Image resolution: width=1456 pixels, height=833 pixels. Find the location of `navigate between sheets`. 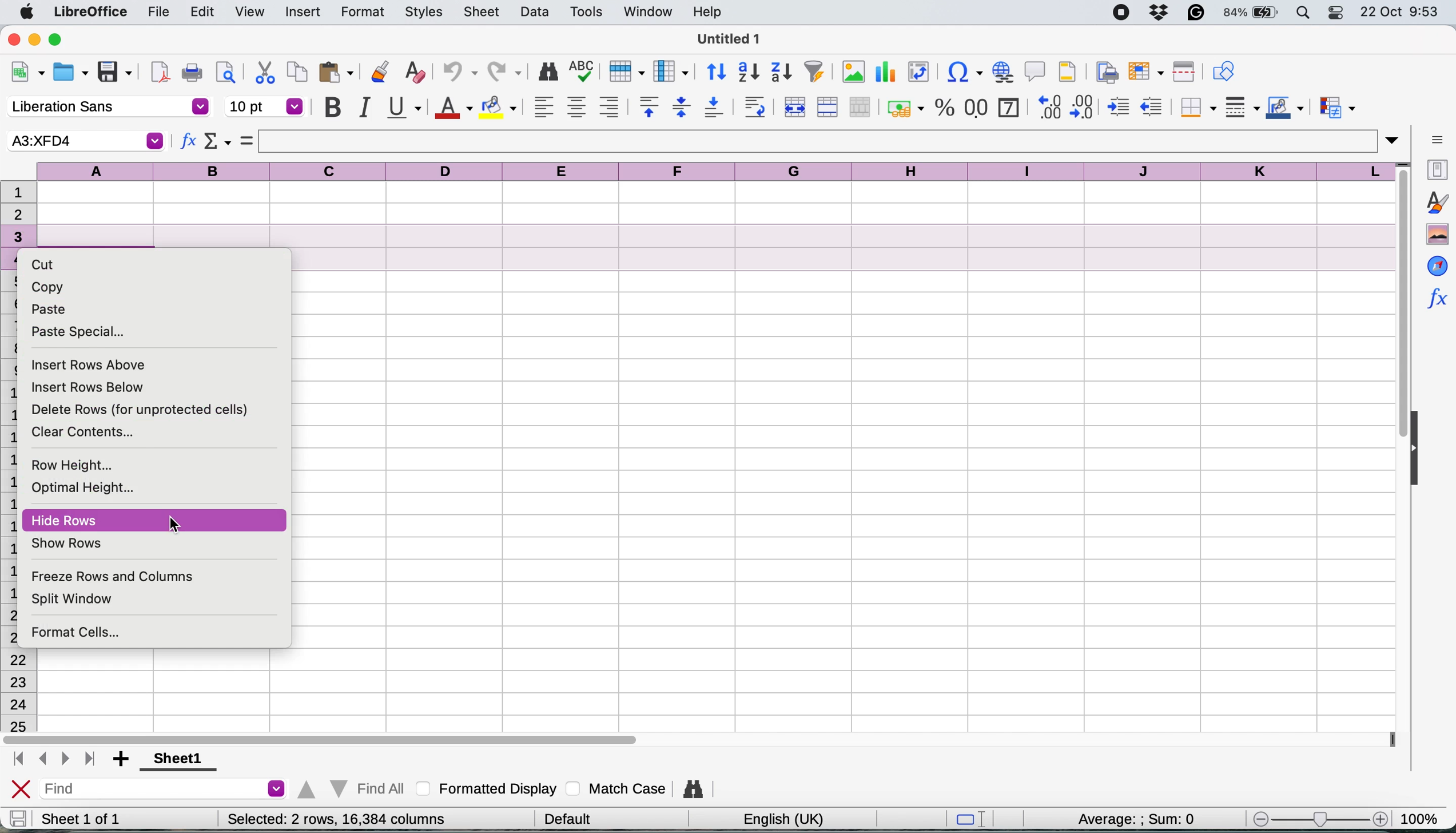

navigate between sheets is located at coordinates (53, 760).